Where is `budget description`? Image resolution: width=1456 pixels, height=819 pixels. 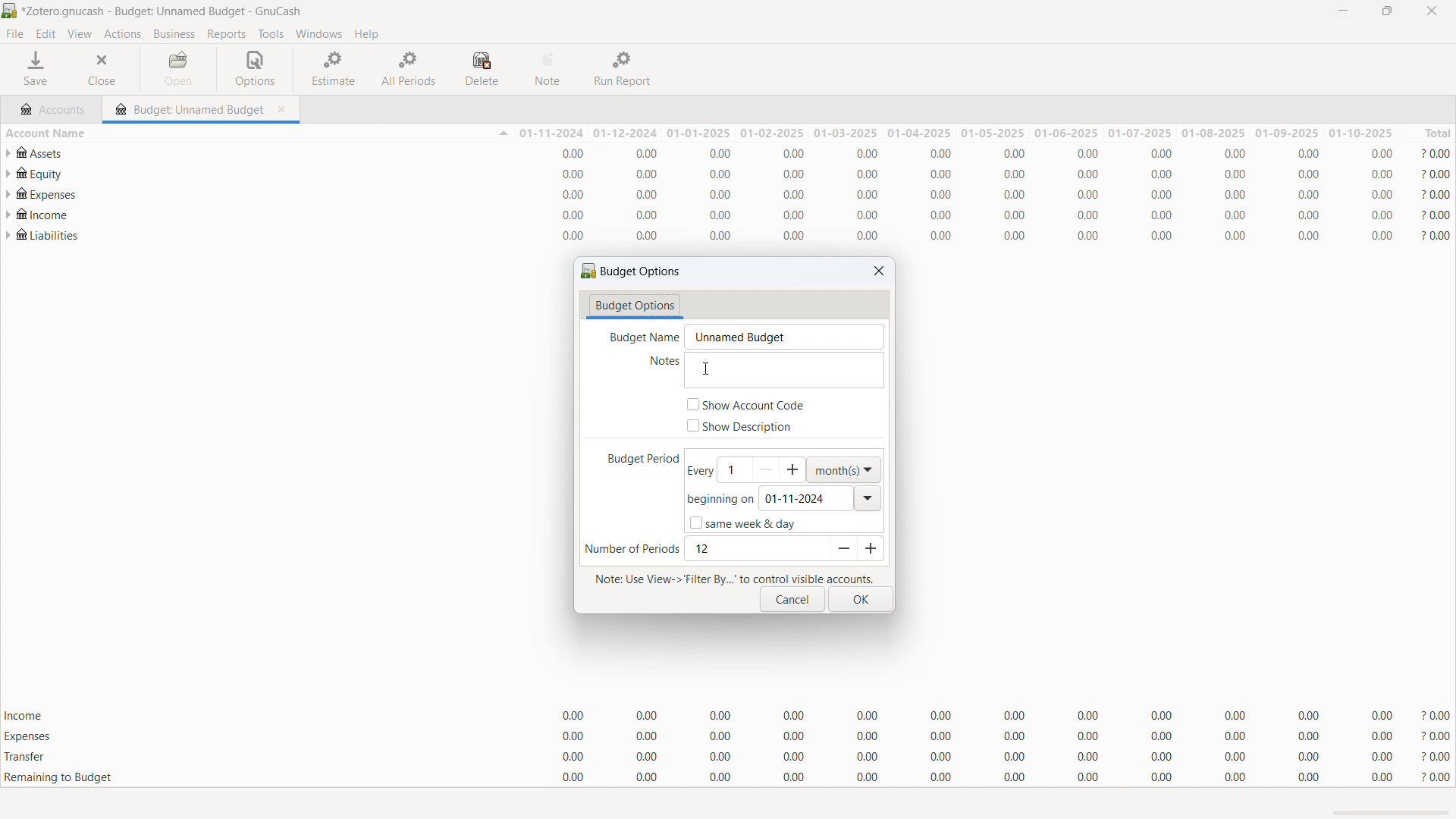
budget description is located at coordinates (783, 370).